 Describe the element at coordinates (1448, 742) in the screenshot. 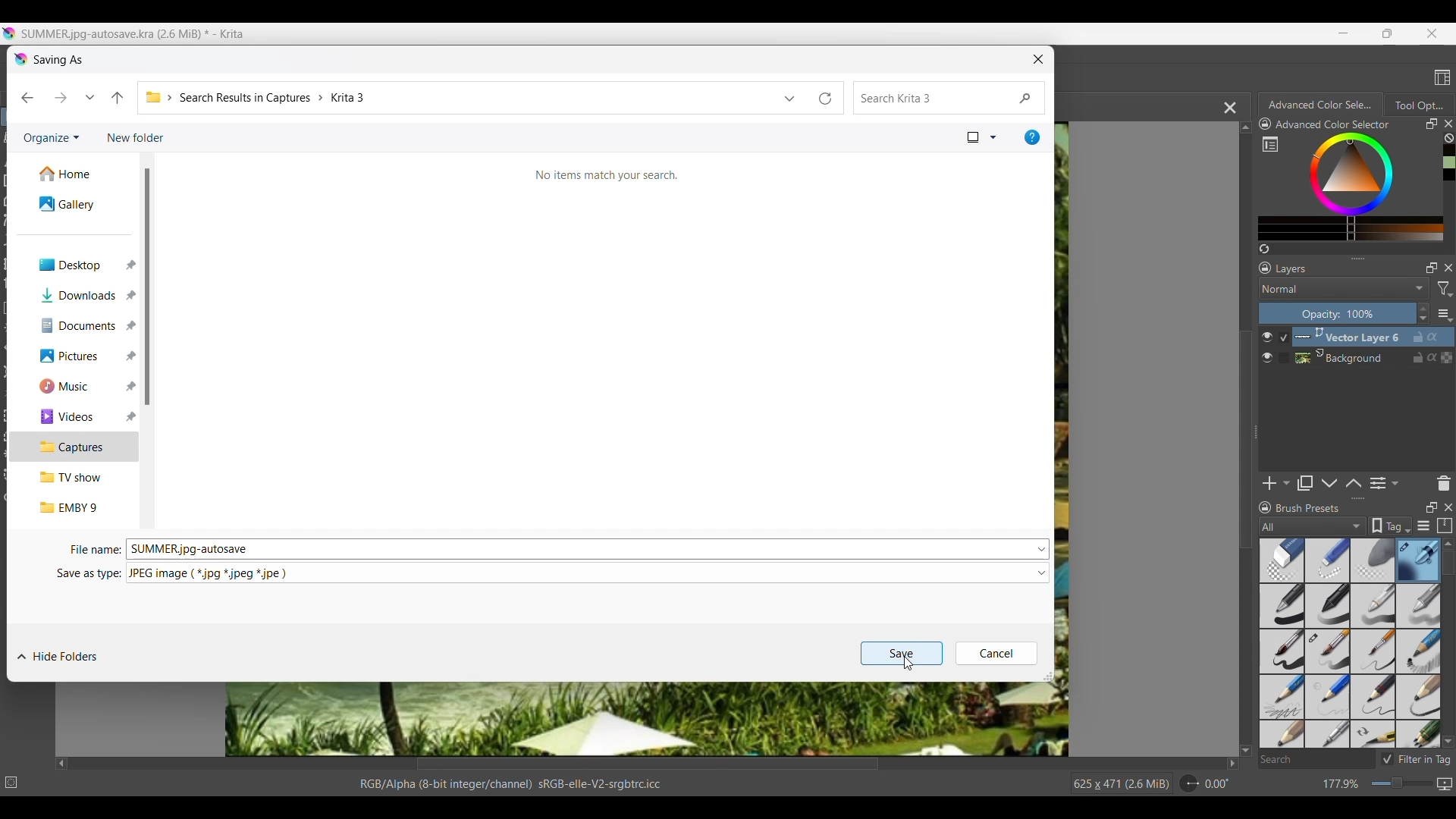

I see `Quick slide to bottom` at that location.